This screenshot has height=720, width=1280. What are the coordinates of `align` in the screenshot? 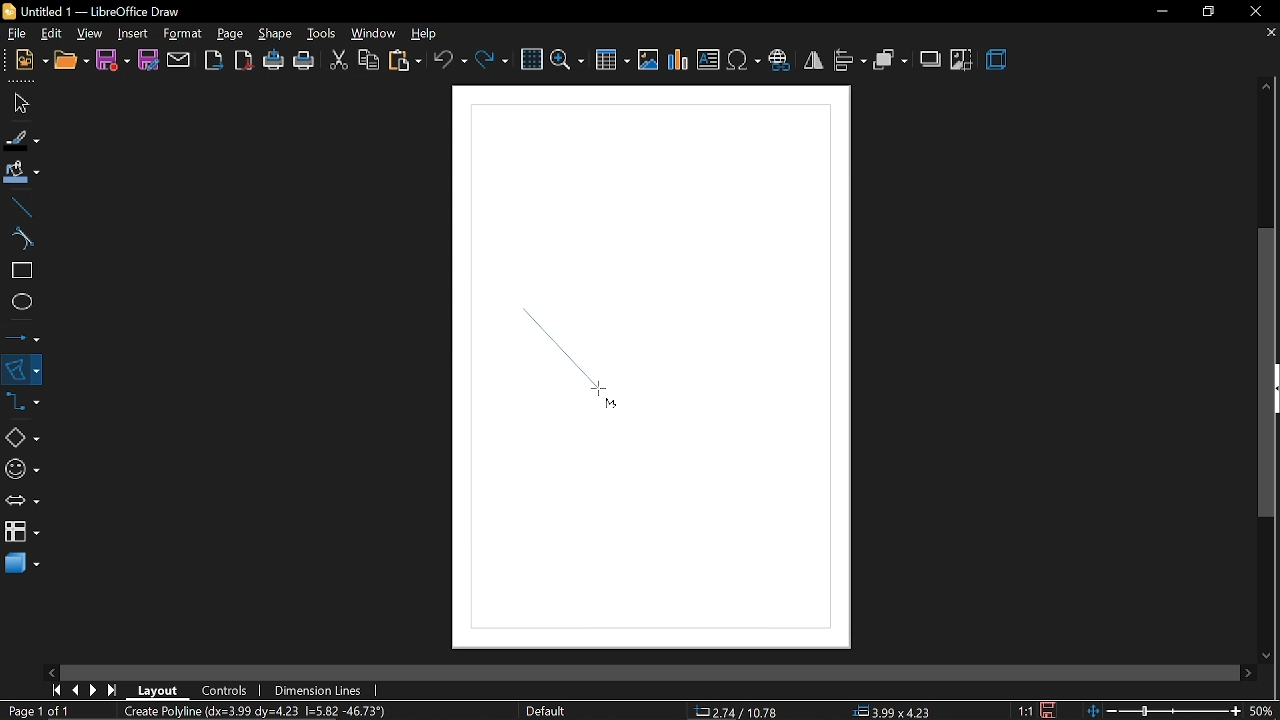 It's located at (849, 59).